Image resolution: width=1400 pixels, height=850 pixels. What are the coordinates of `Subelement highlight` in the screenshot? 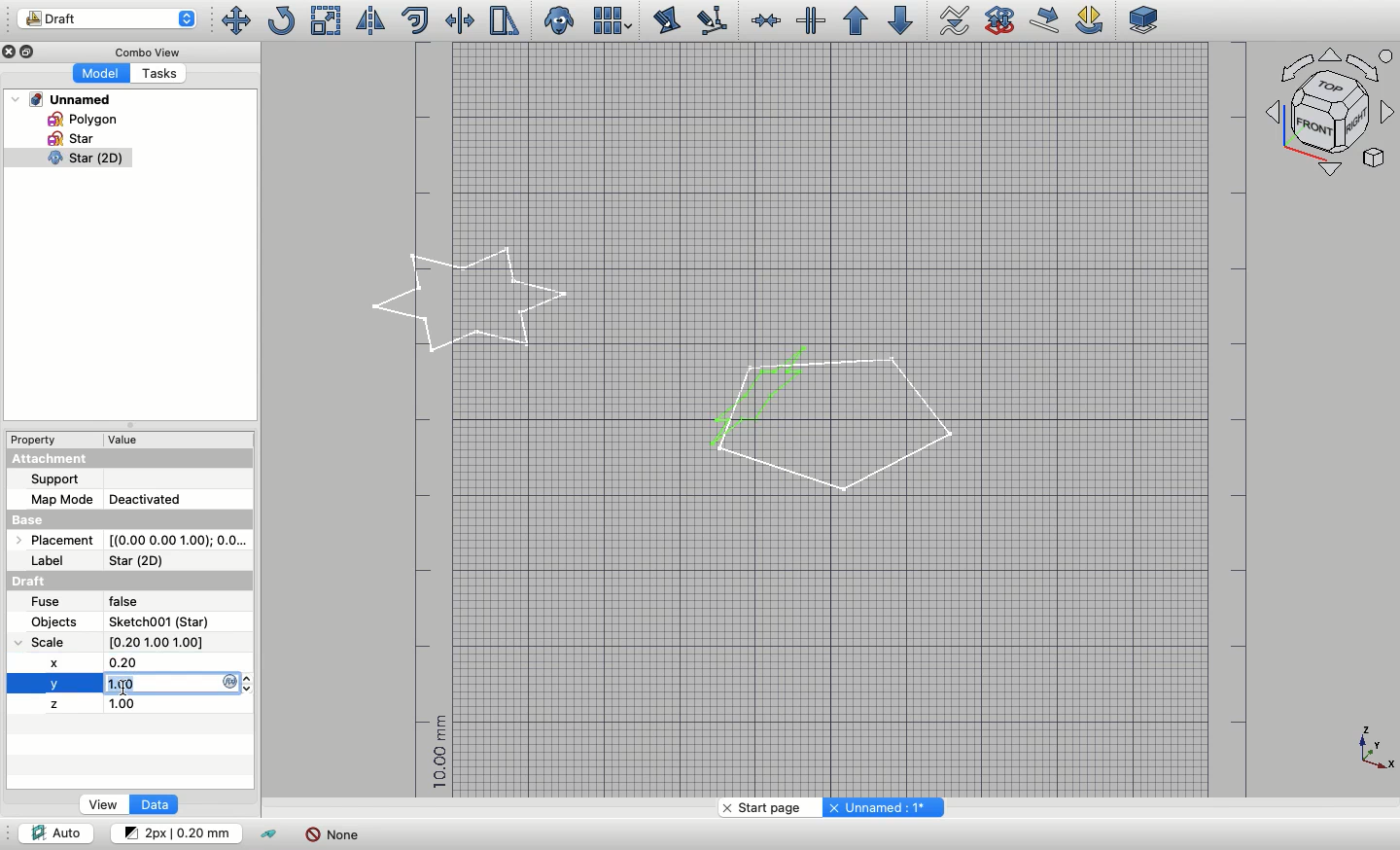 It's located at (710, 21).